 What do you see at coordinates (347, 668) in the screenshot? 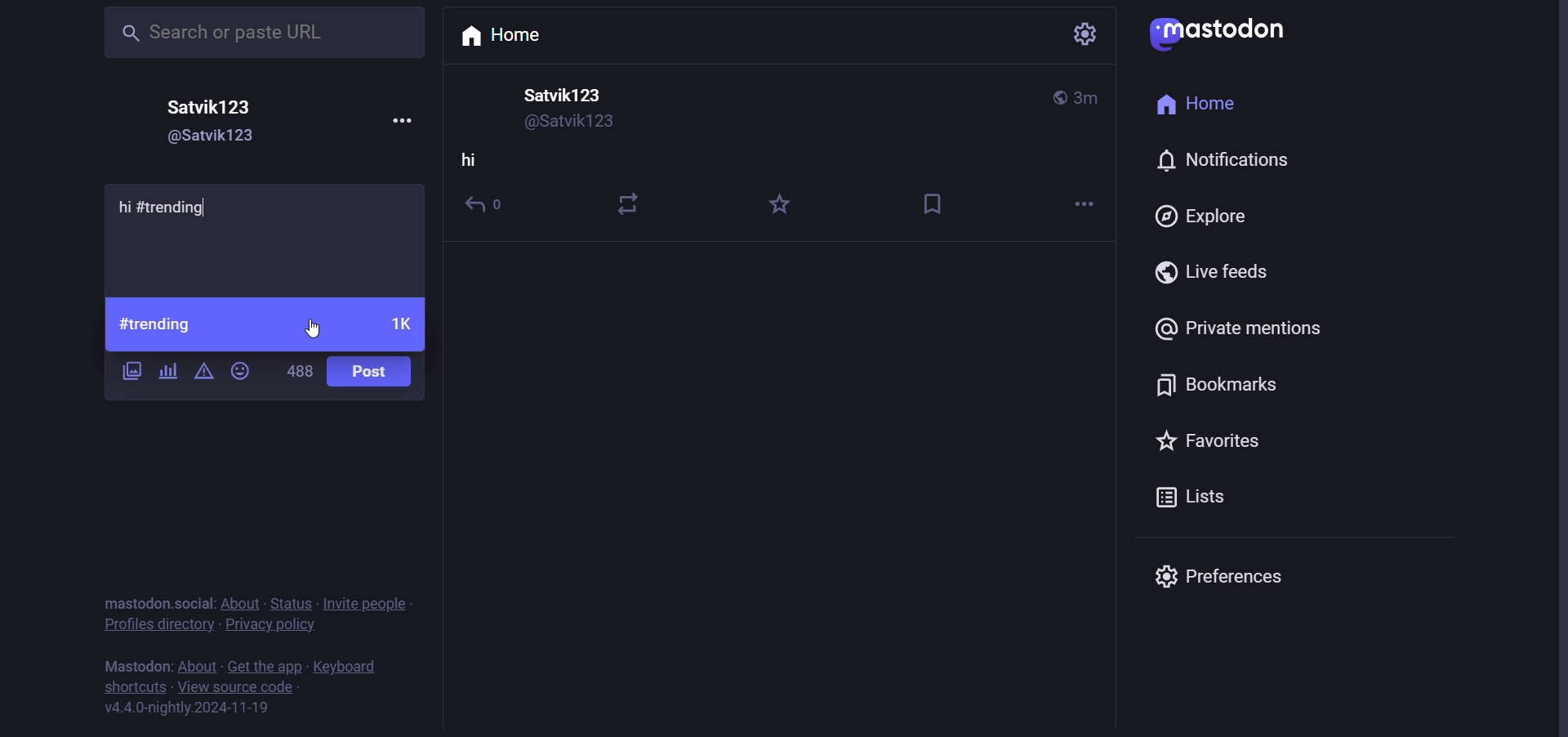
I see `keyboard` at bounding box center [347, 668].